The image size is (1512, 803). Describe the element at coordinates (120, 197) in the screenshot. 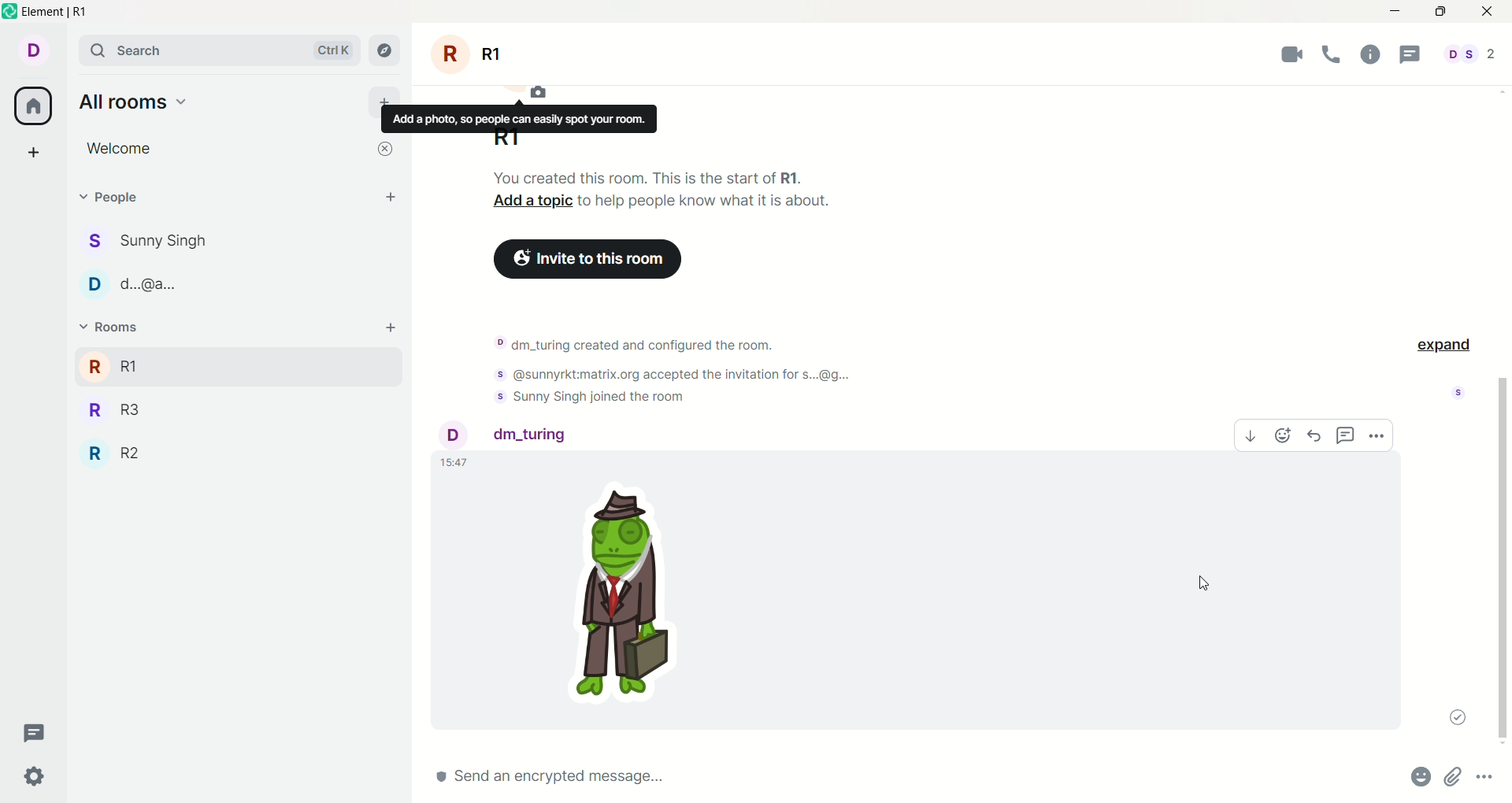

I see `People` at that location.